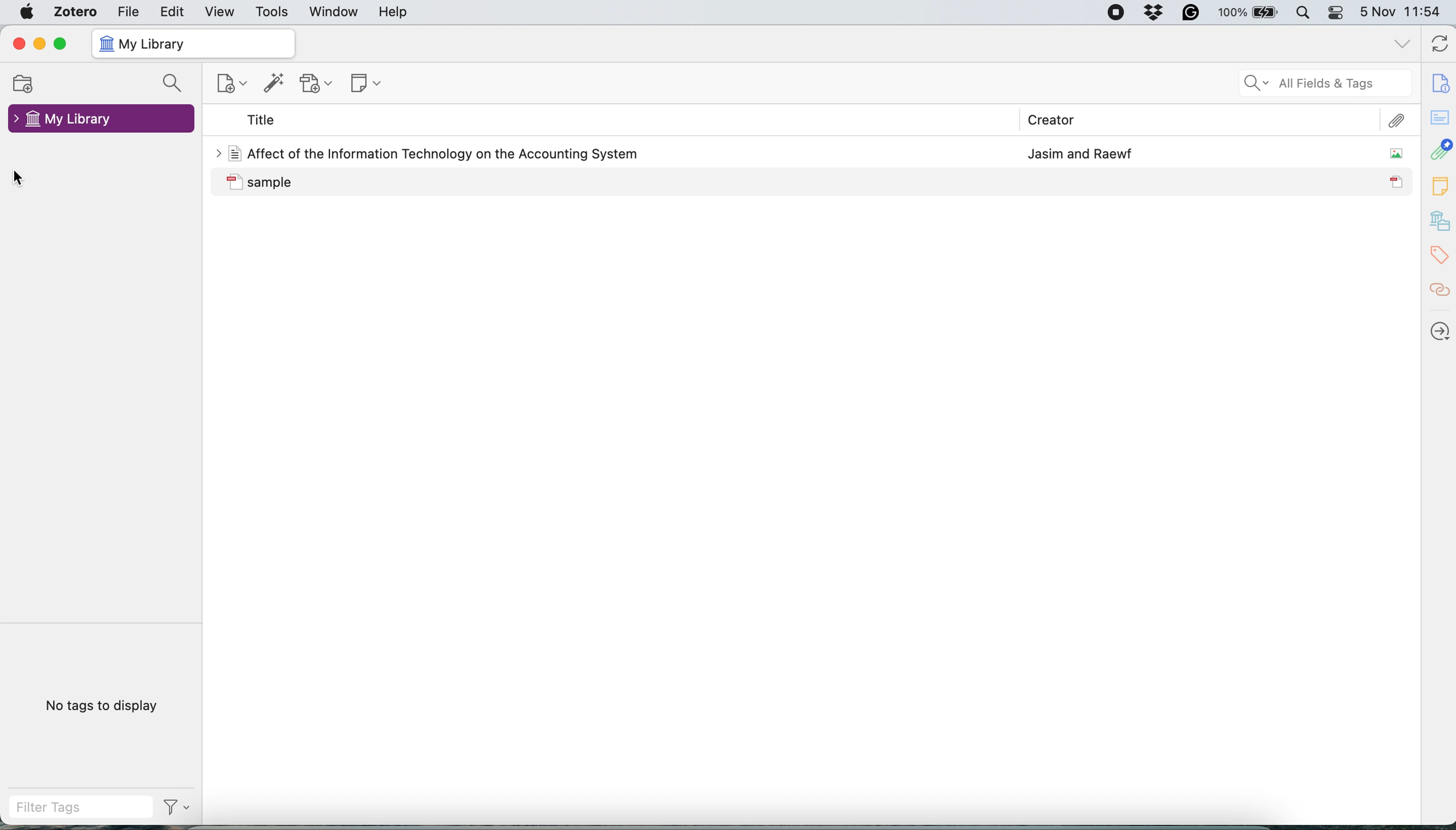 This screenshot has width=1456, height=830. Describe the element at coordinates (192, 43) in the screenshot. I see `my library` at that location.